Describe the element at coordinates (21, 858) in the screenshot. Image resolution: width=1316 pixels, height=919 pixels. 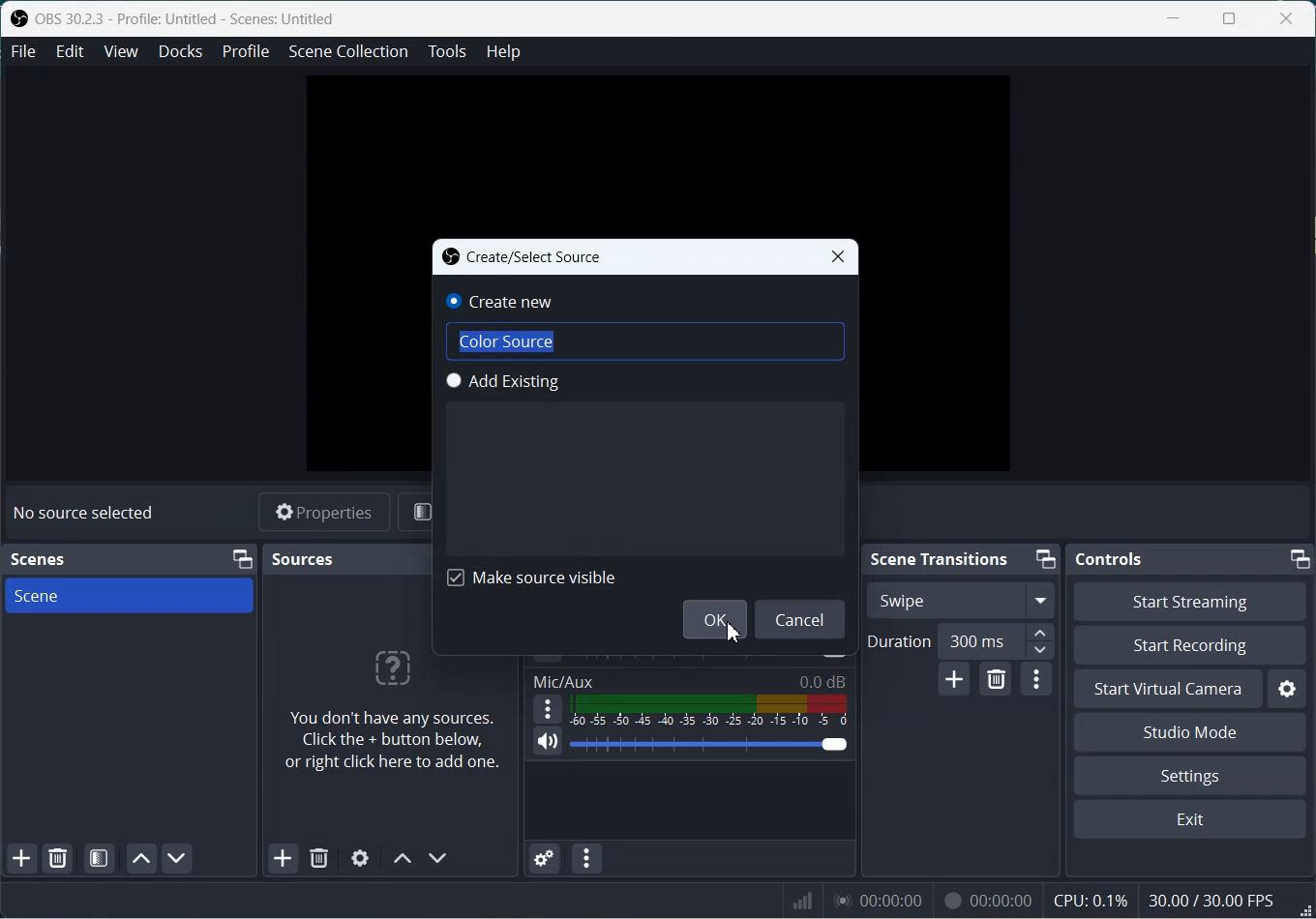
I see `Add Scene` at that location.